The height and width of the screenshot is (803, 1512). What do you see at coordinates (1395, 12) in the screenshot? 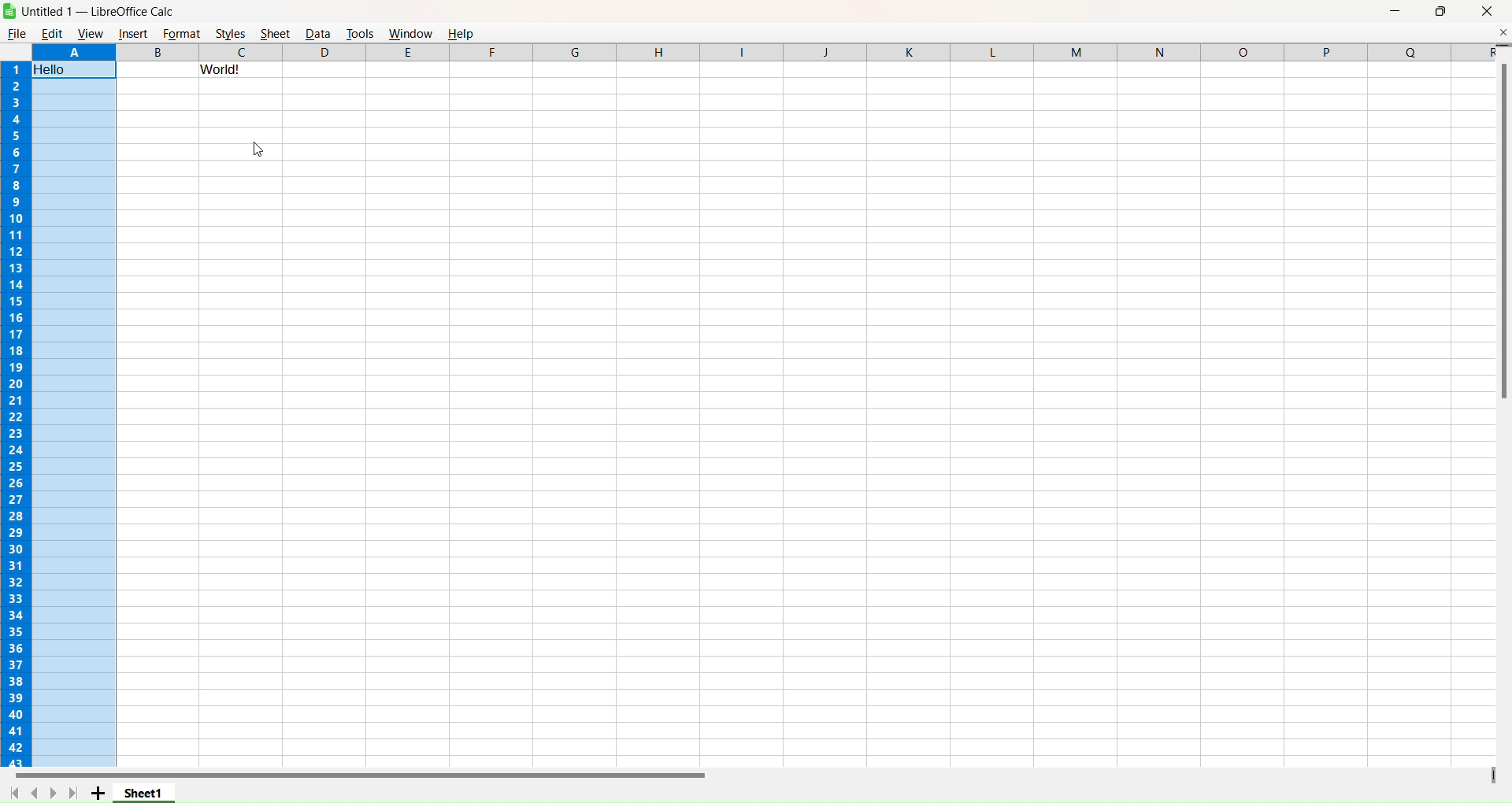
I see `Minimize` at bounding box center [1395, 12].